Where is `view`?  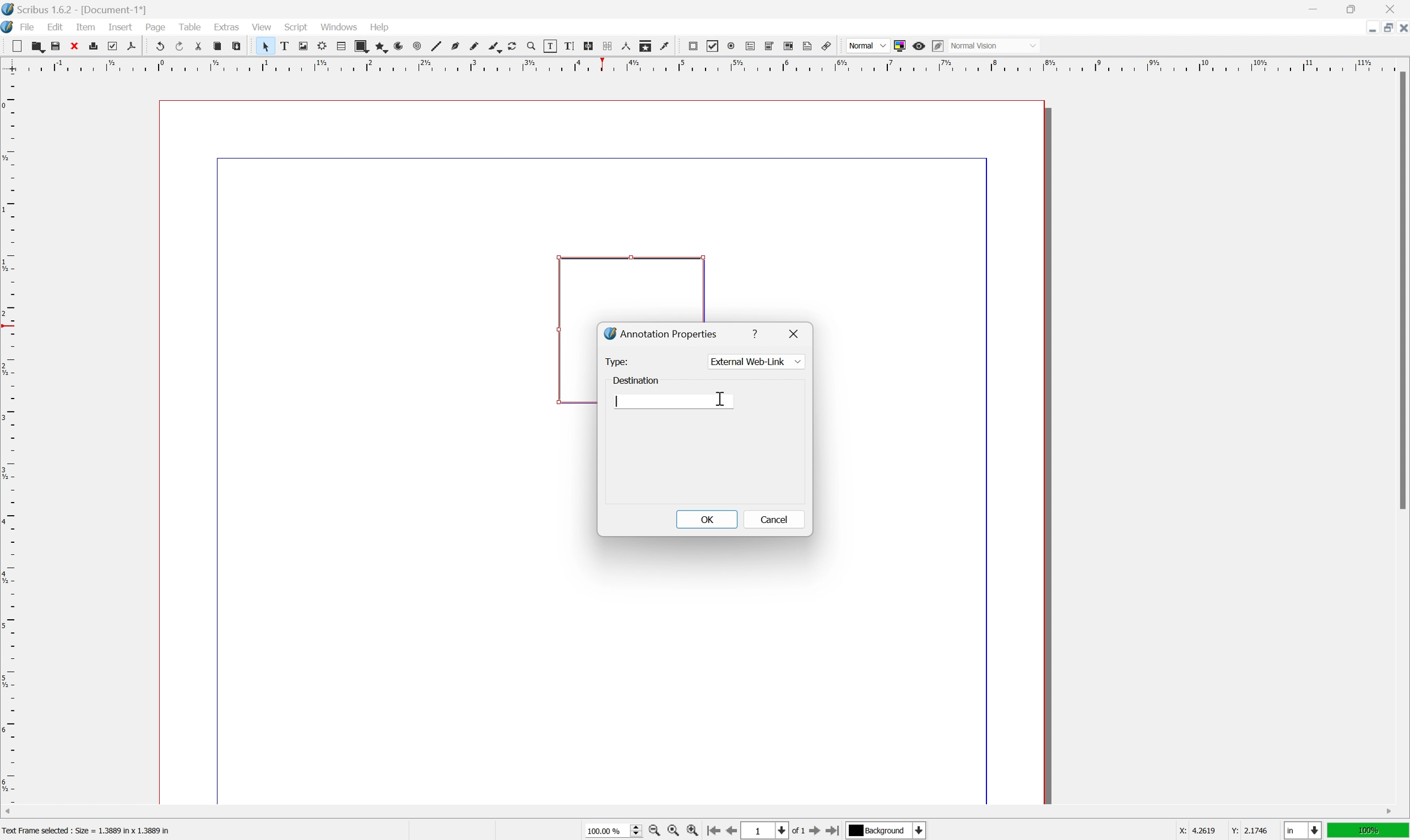 view is located at coordinates (260, 26).